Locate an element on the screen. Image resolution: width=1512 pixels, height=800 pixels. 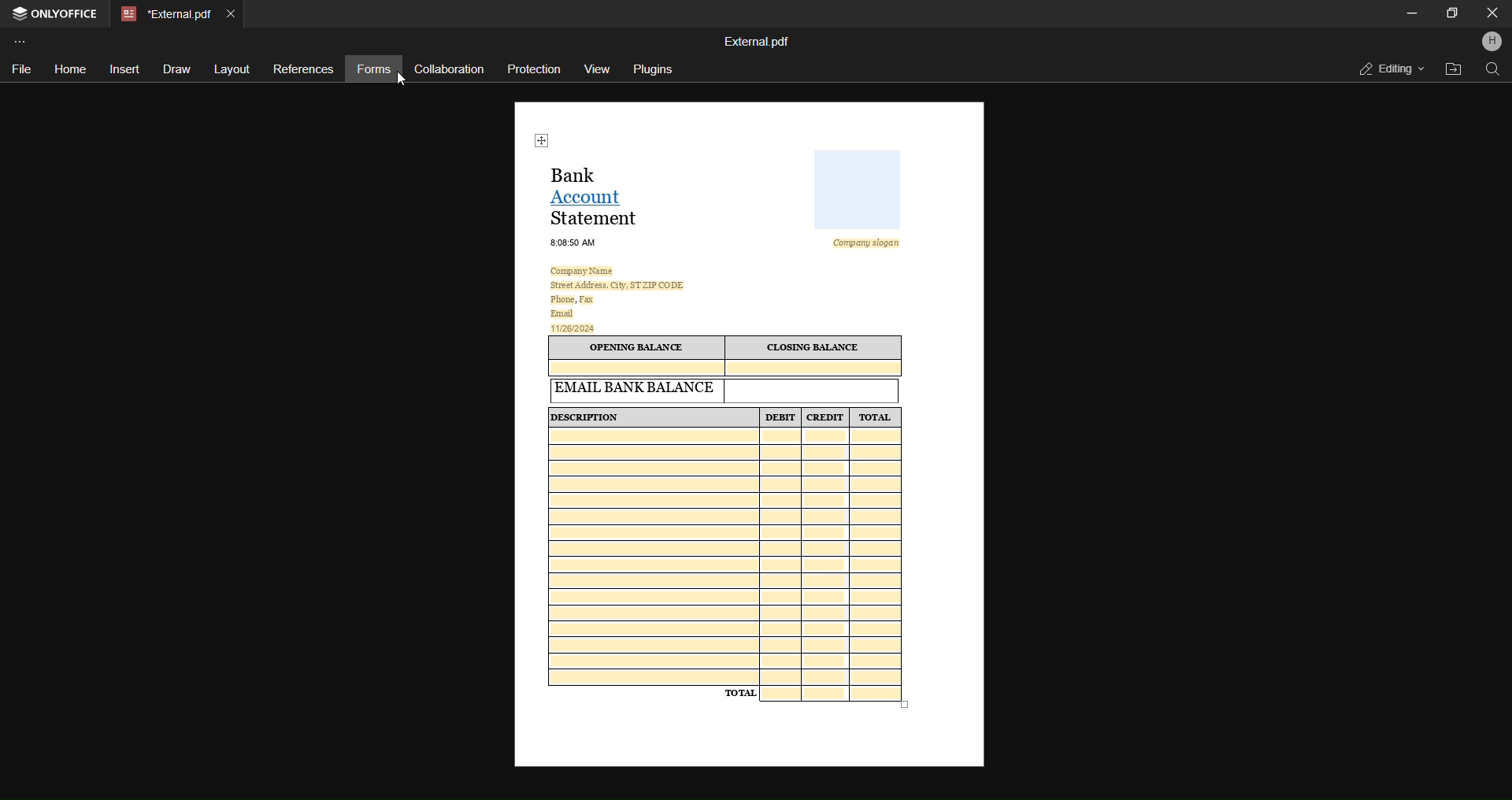
home is located at coordinates (63, 67).